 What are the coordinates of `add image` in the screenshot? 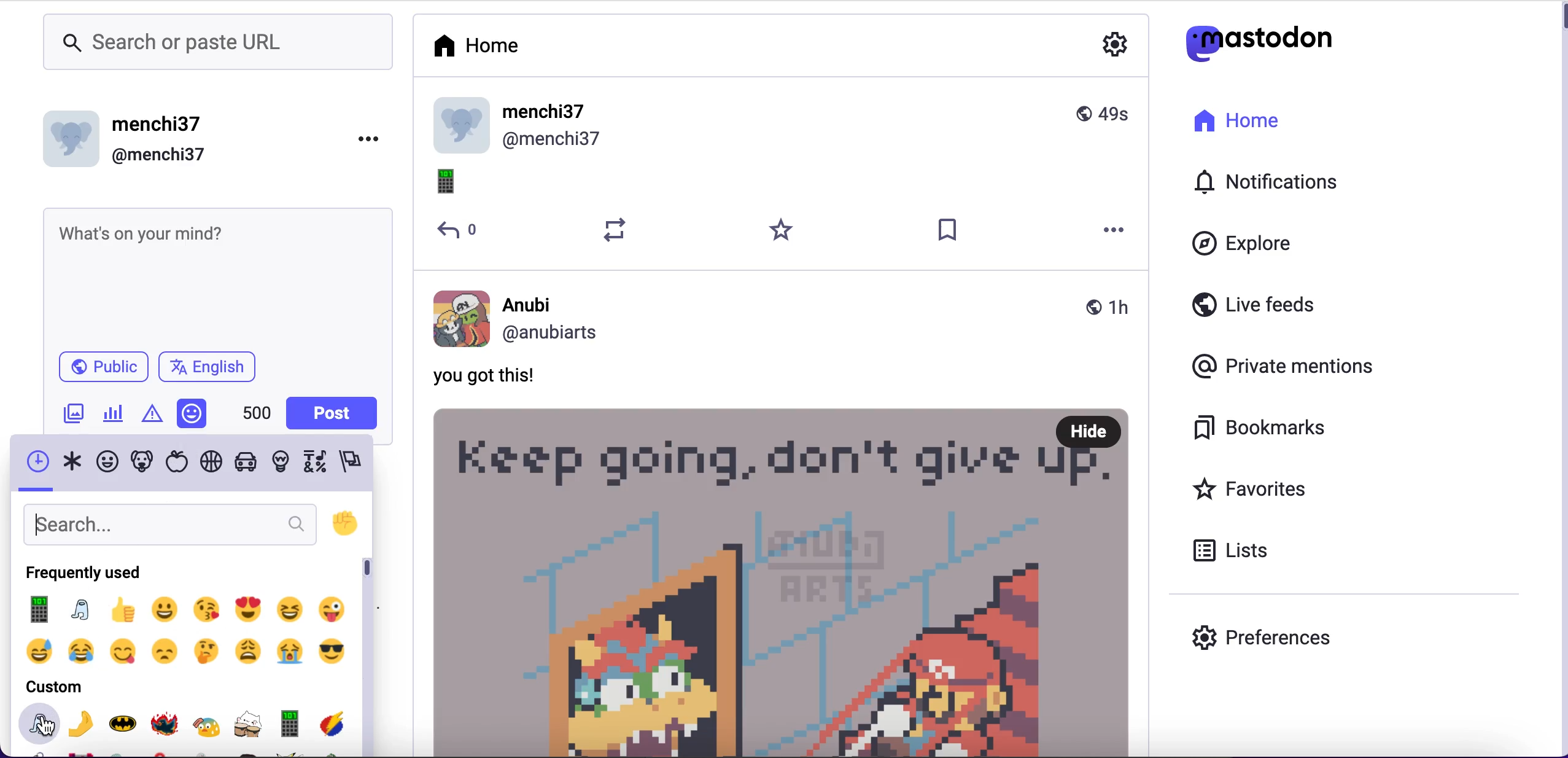 It's located at (74, 418).